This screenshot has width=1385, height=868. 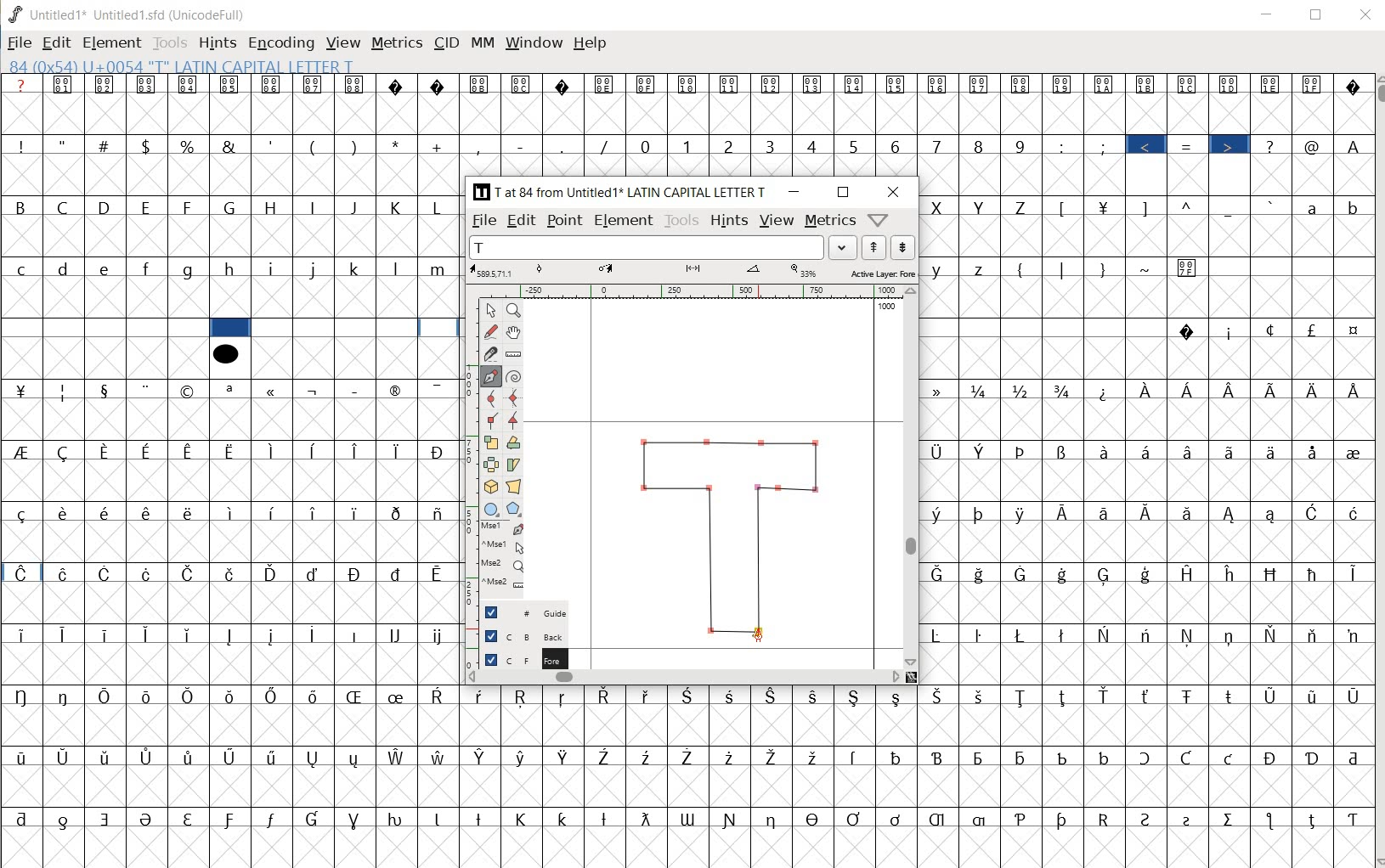 I want to click on Symbol, so click(x=1105, y=450).